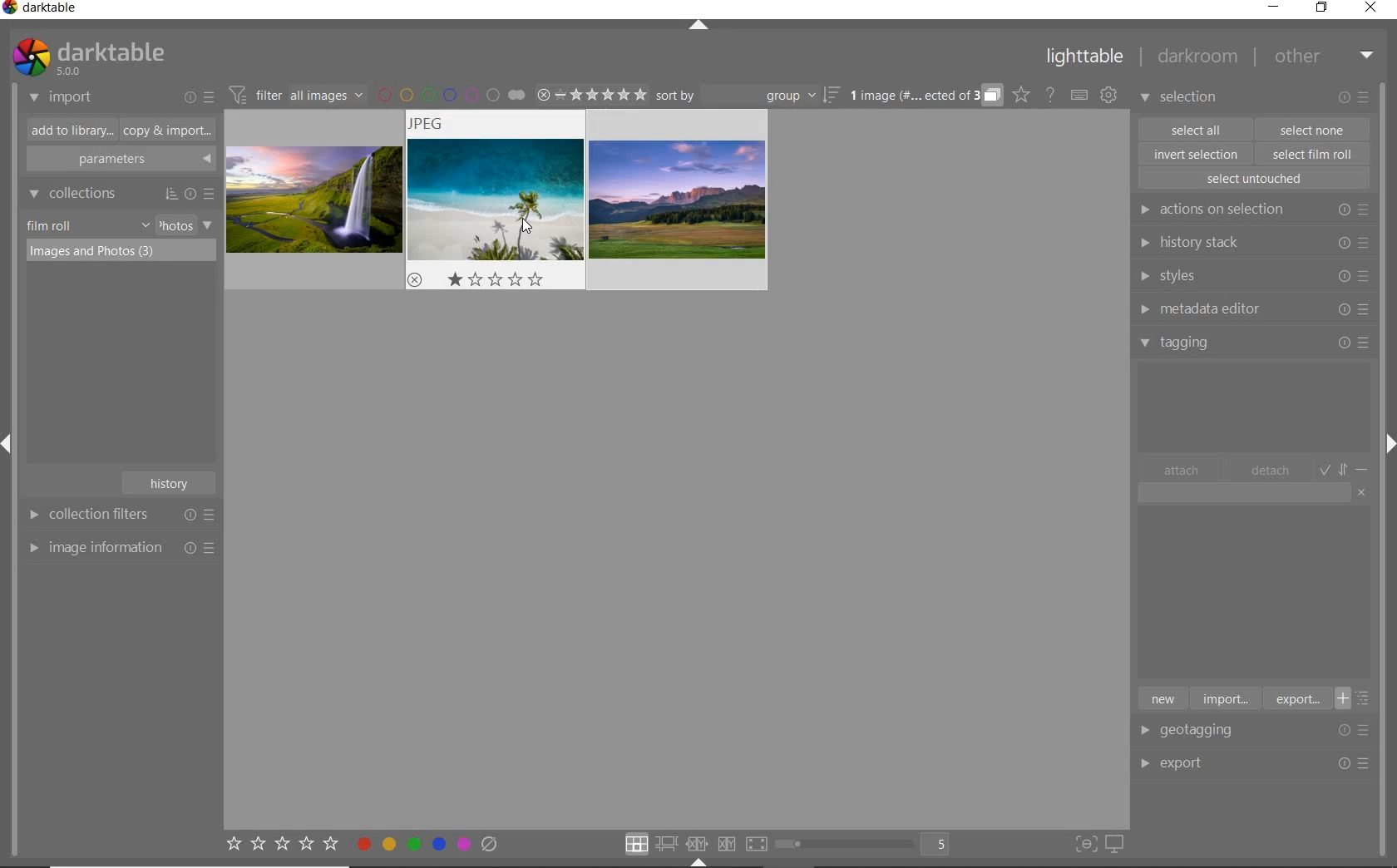 The image size is (1397, 868). Describe the element at coordinates (451, 94) in the screenshot. I see `filter by image color label` at that location.